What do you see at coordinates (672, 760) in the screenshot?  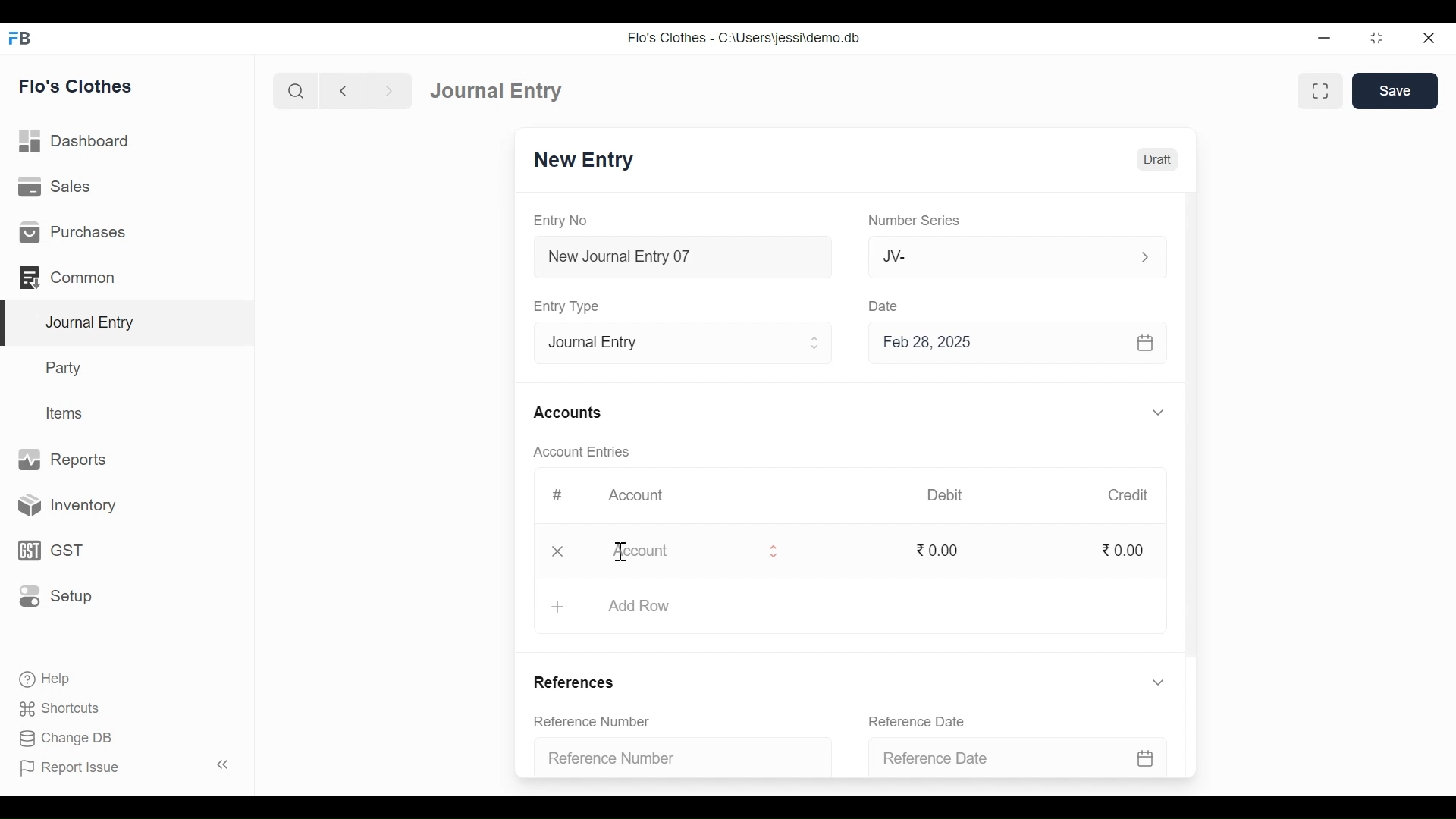 I see `Reference Number` at bounding box center [672, 760].